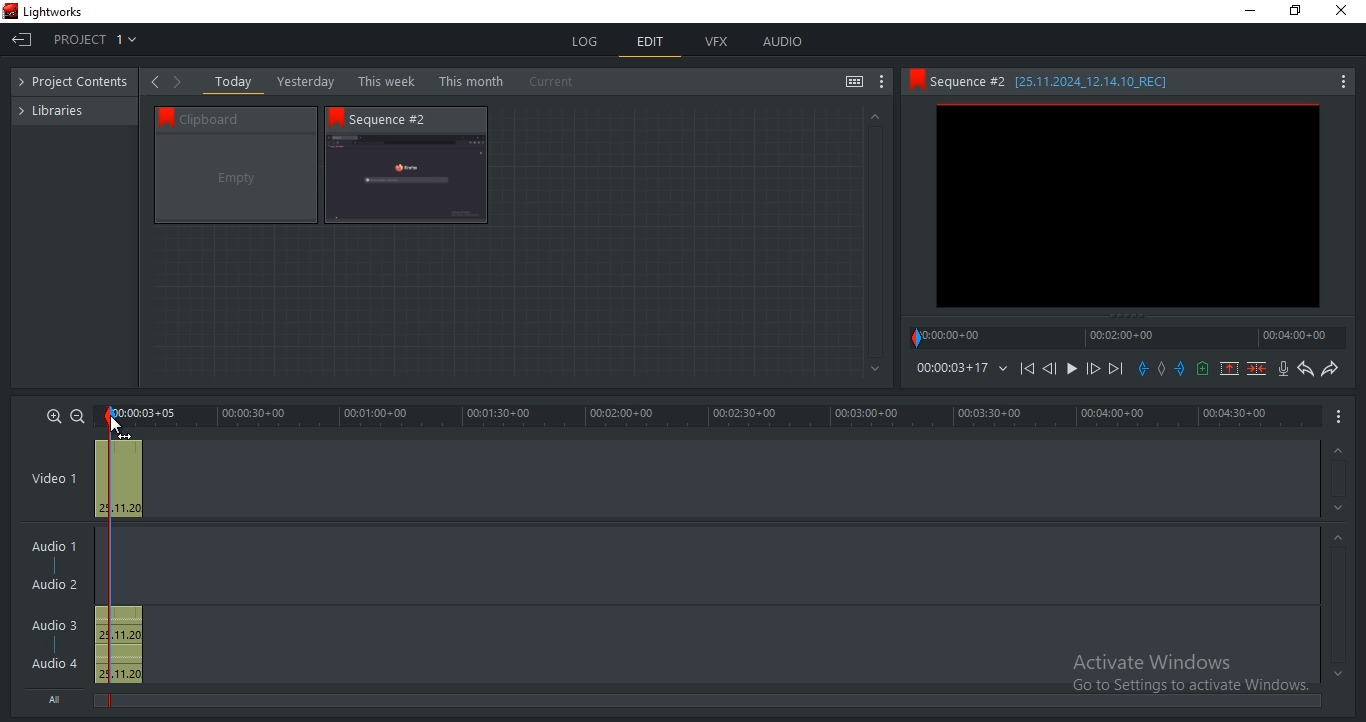 Image resolution: width=1366 pixels, height=722 pixels. I want to click on libraries, so click(61, 109).